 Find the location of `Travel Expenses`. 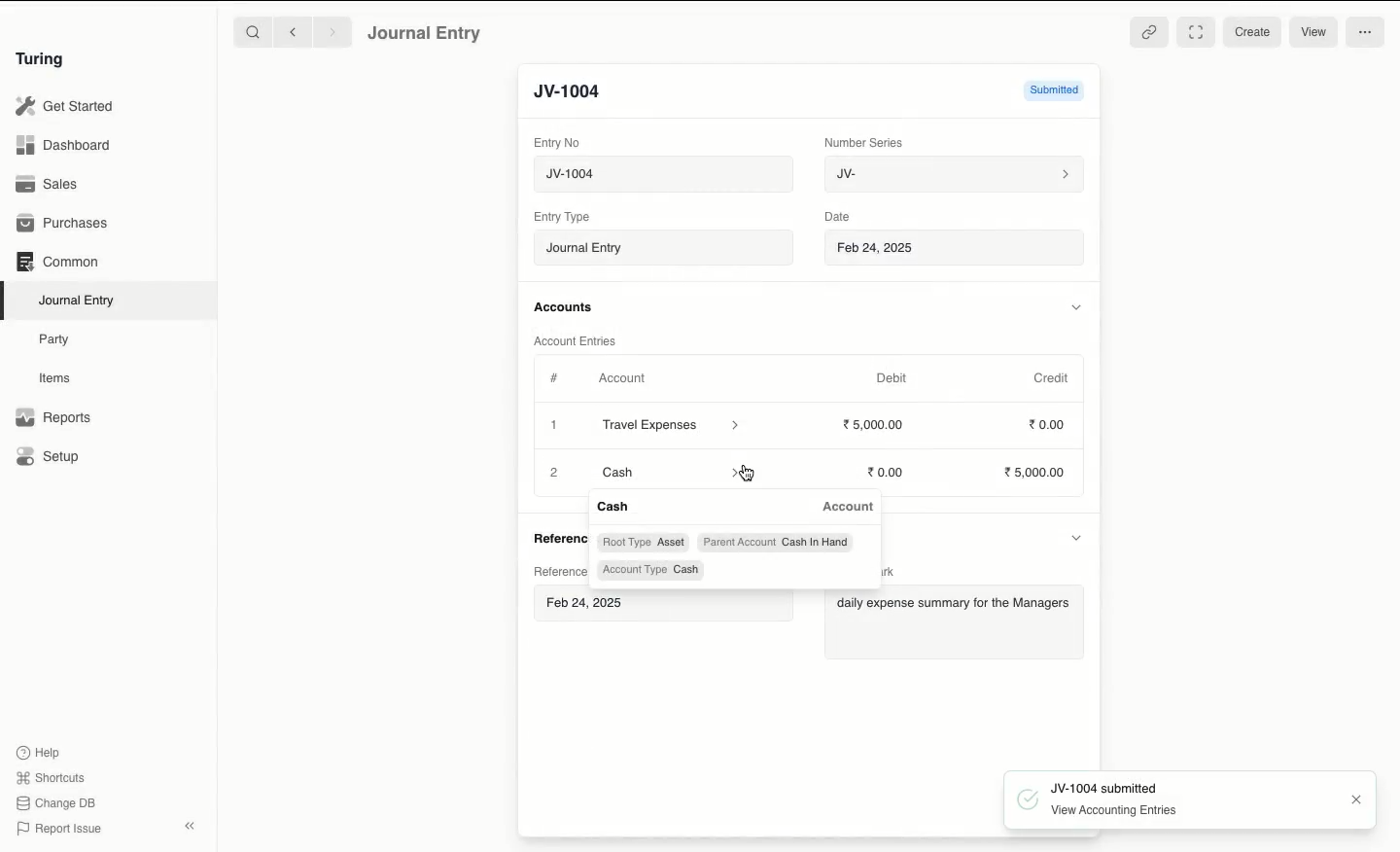

Travel Expenses is located at coordinates (673, 427).